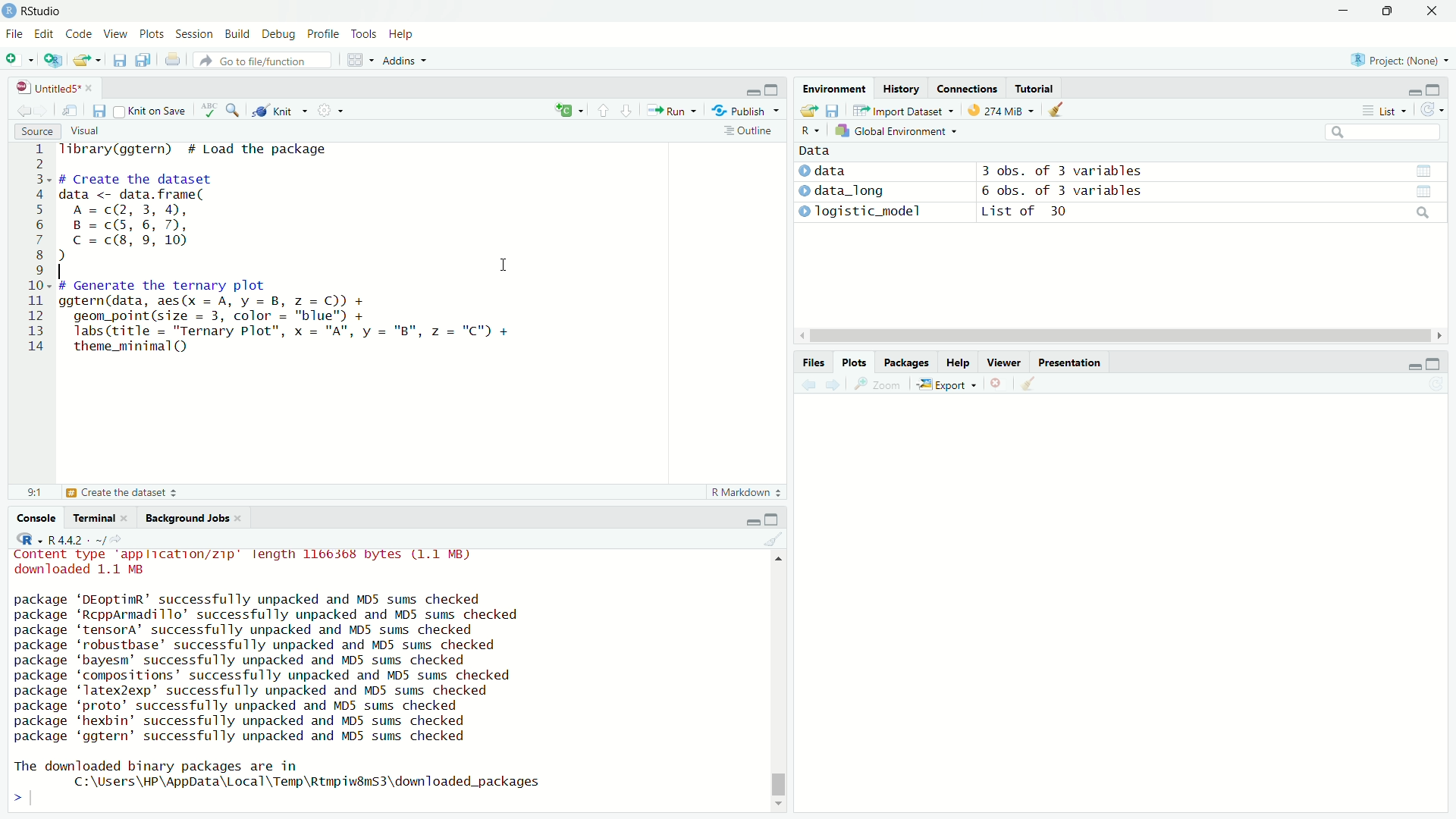 This screenshot has width=1456, height=819. Describe the element at coordinates (1343, 11) in the screenshot. I see `minimise` at that location.